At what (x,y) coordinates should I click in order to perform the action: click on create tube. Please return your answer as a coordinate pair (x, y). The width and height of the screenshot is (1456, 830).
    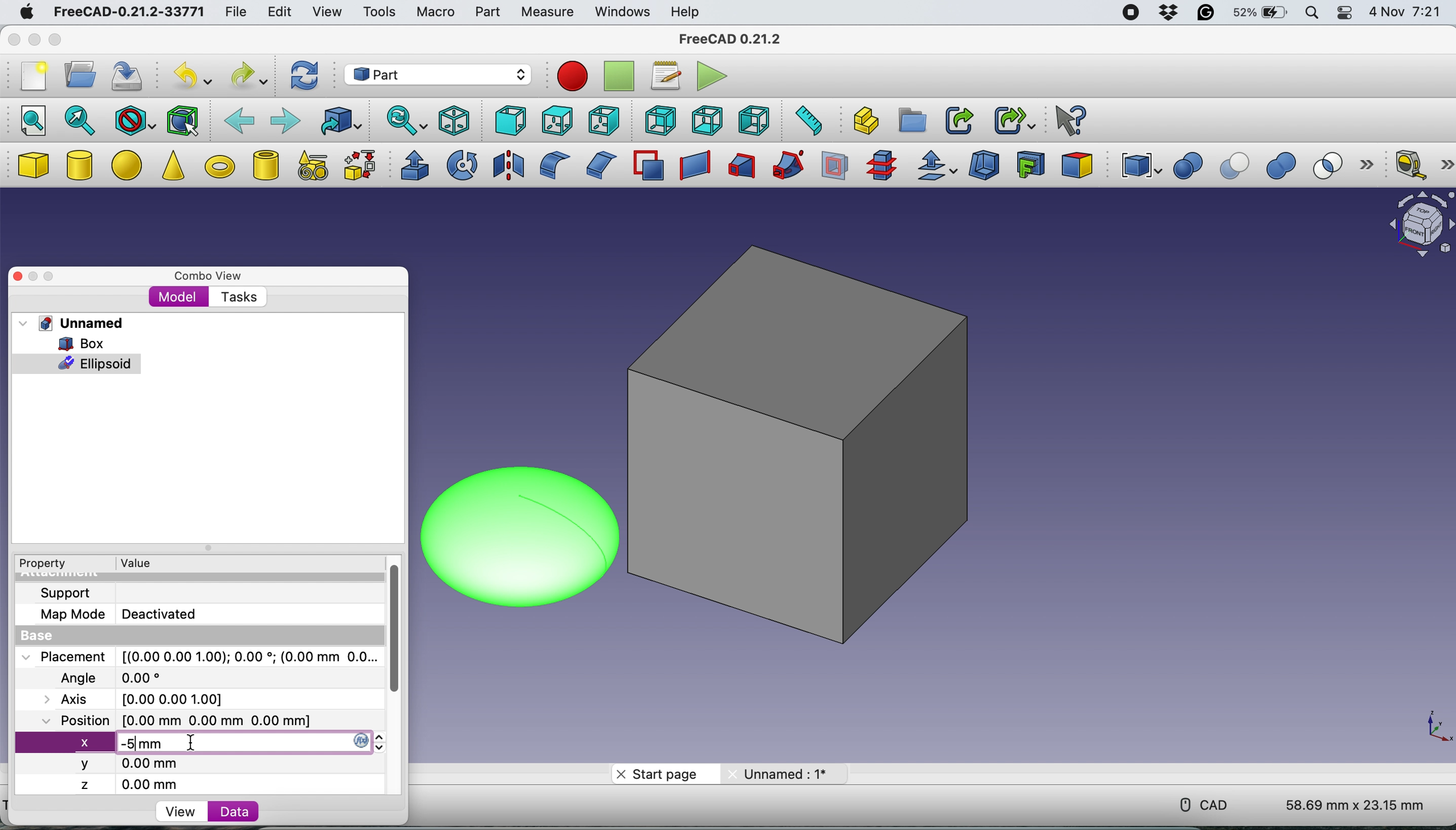
    Looking at the image, I should click on (265, 165).